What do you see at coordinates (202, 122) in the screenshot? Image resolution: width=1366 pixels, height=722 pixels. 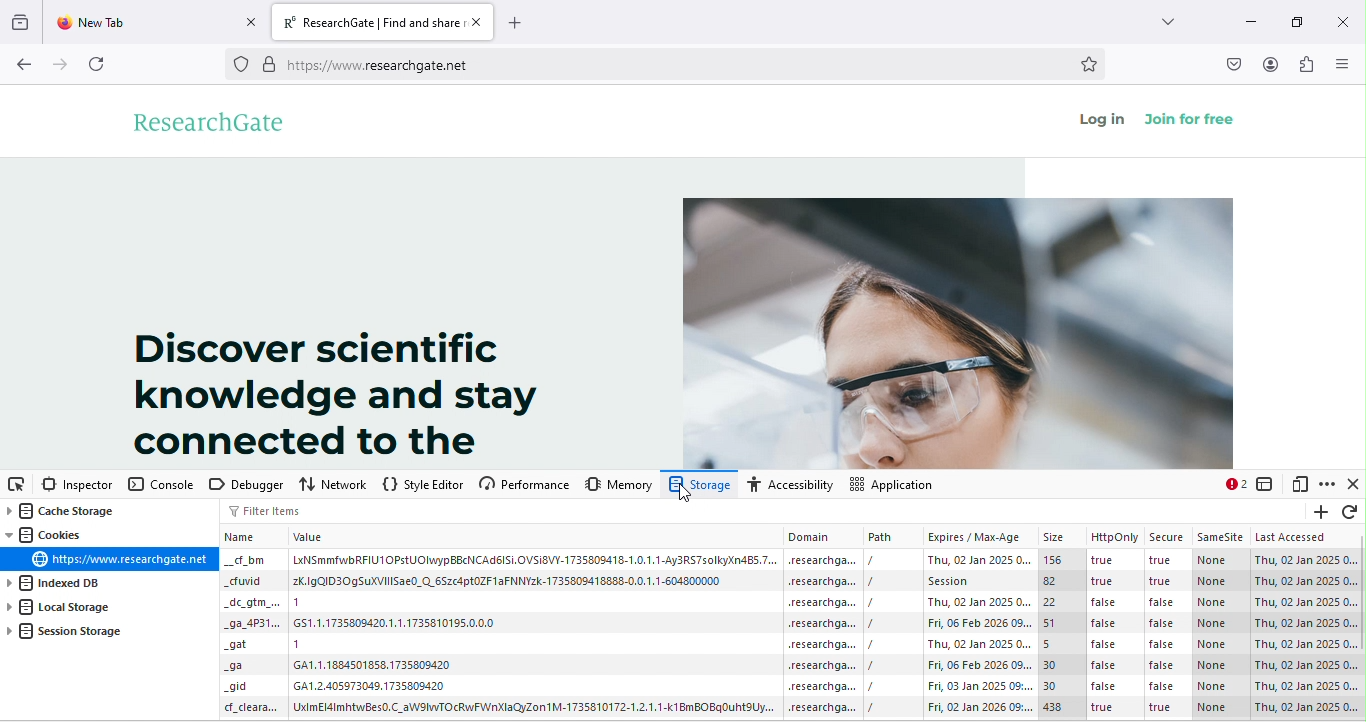 I see `research gate` at bounding box center [202, 122].